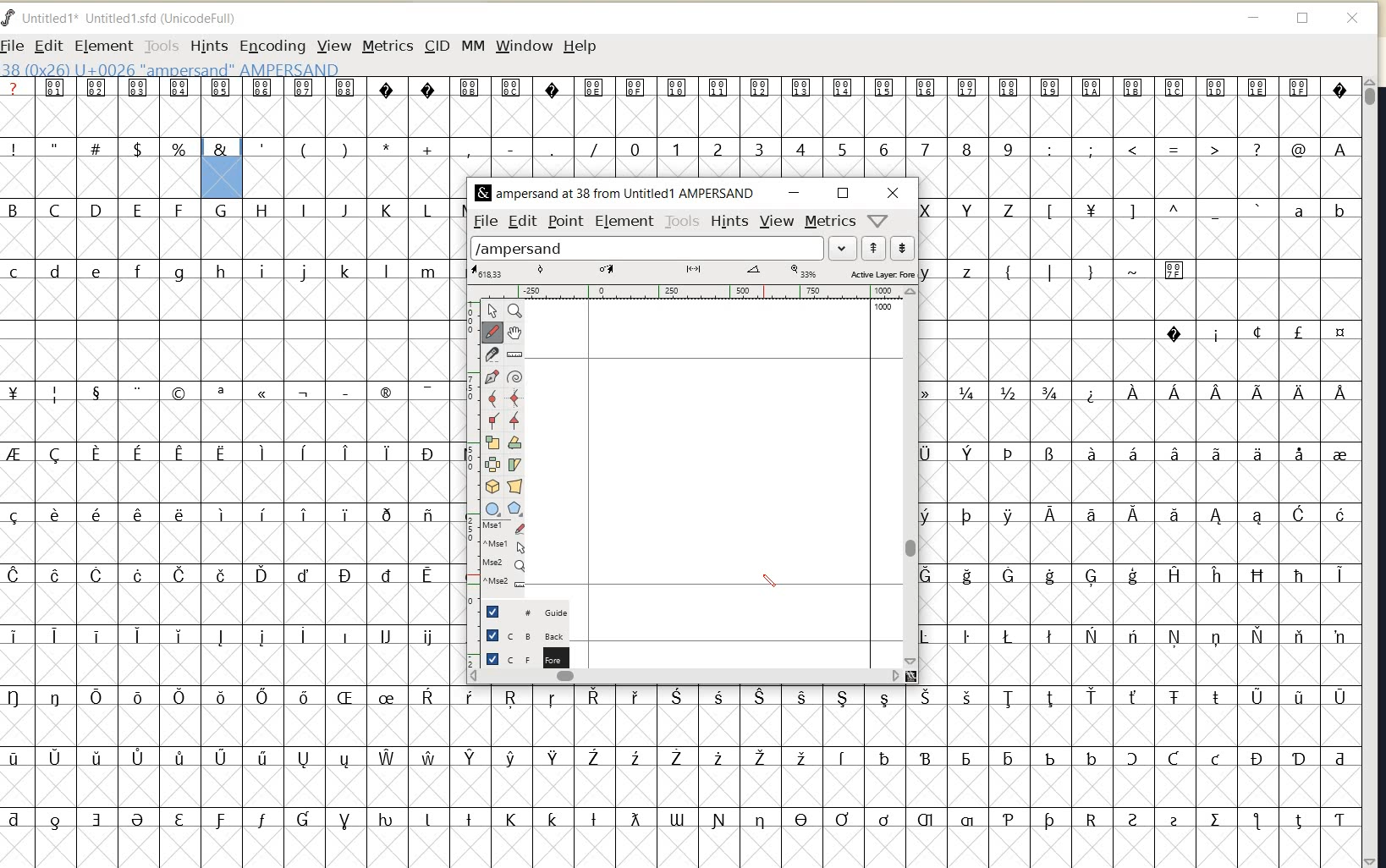 This screenshot has height=868, width=1386. I want to click on RULER, so click(688, 292).